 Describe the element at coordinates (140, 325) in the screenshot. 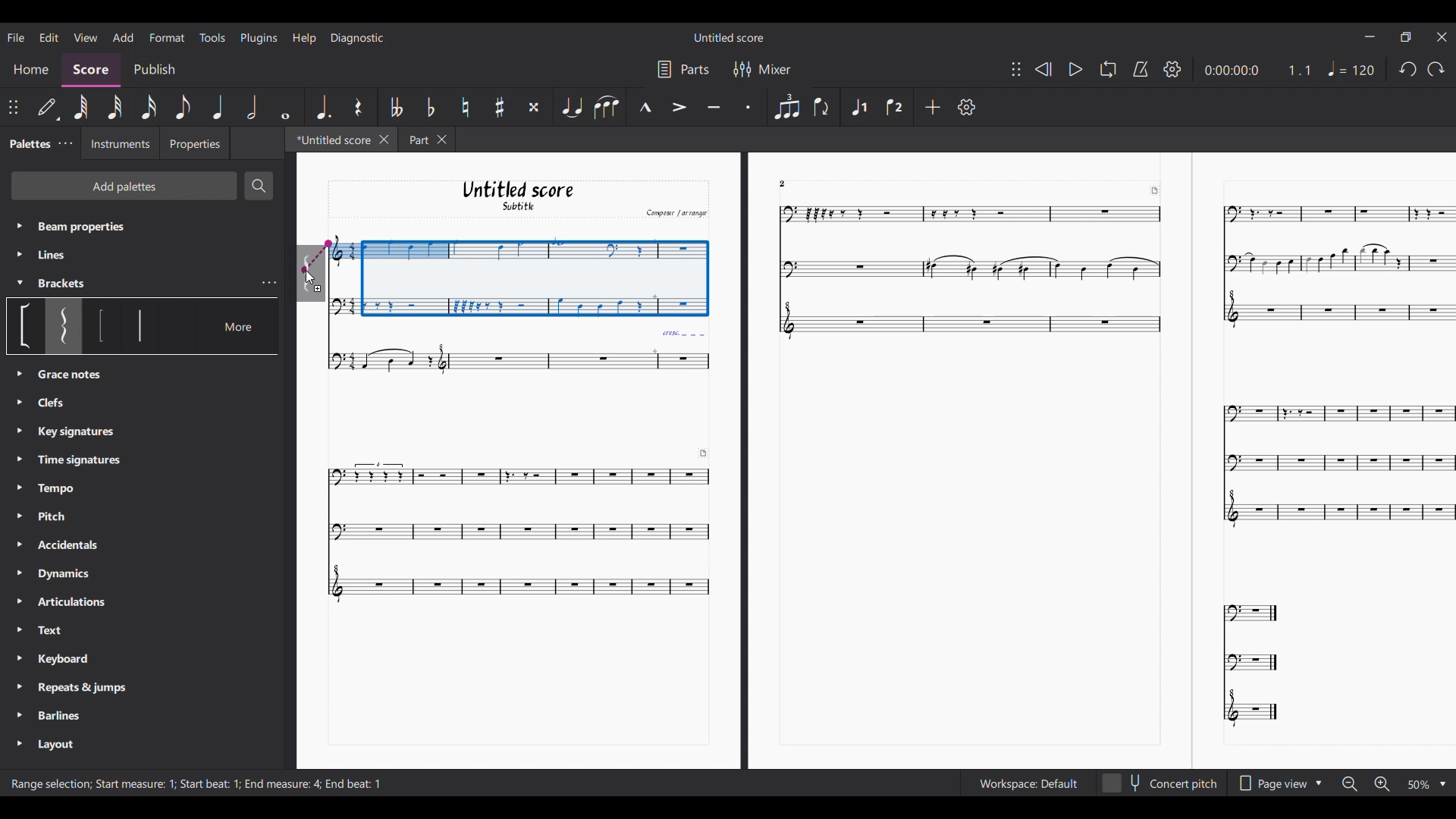

I see `Option under bracket section` at that location.